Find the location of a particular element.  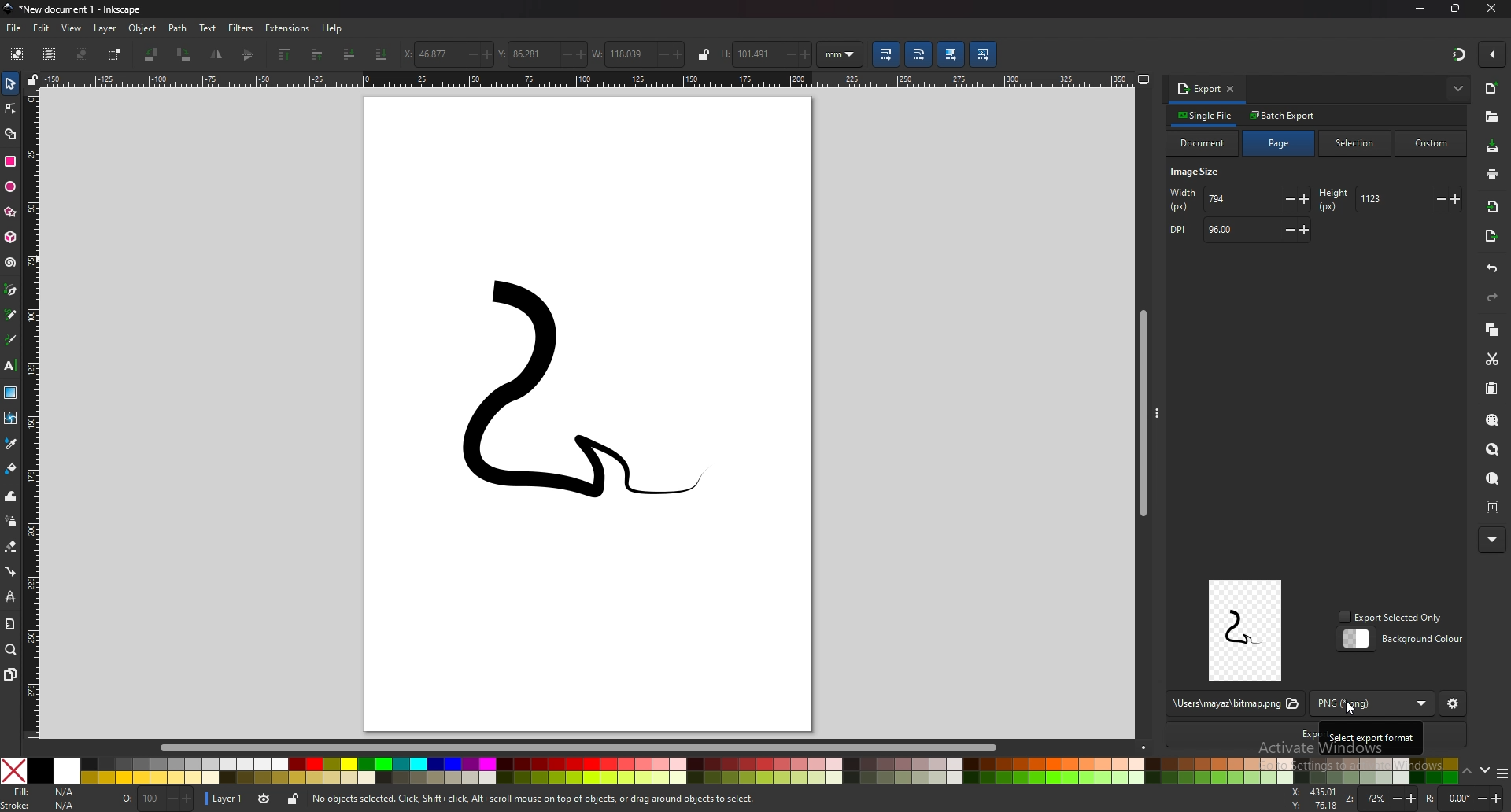

settings is located at coordinates (1454, 705).